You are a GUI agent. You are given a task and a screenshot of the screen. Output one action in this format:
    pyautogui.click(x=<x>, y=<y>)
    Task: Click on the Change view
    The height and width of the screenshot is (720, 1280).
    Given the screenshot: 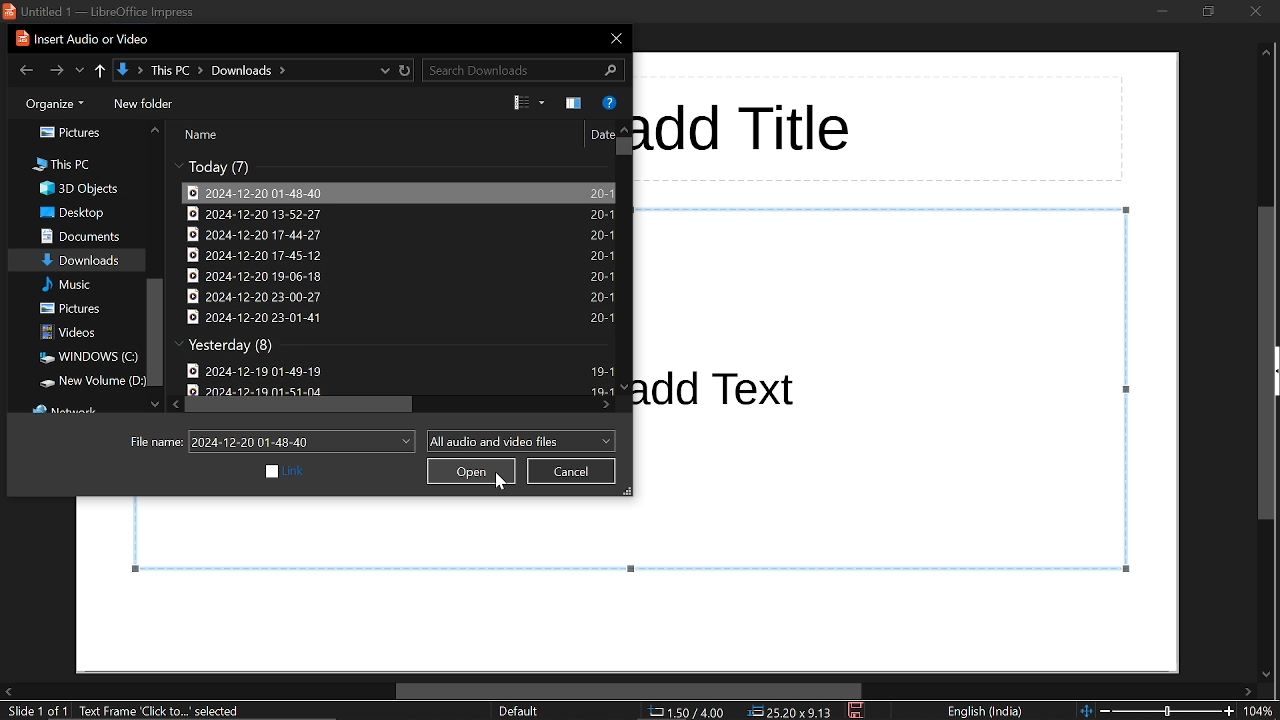 What is the action you would take?
    pyautogui.click(x=530, y=103)
    